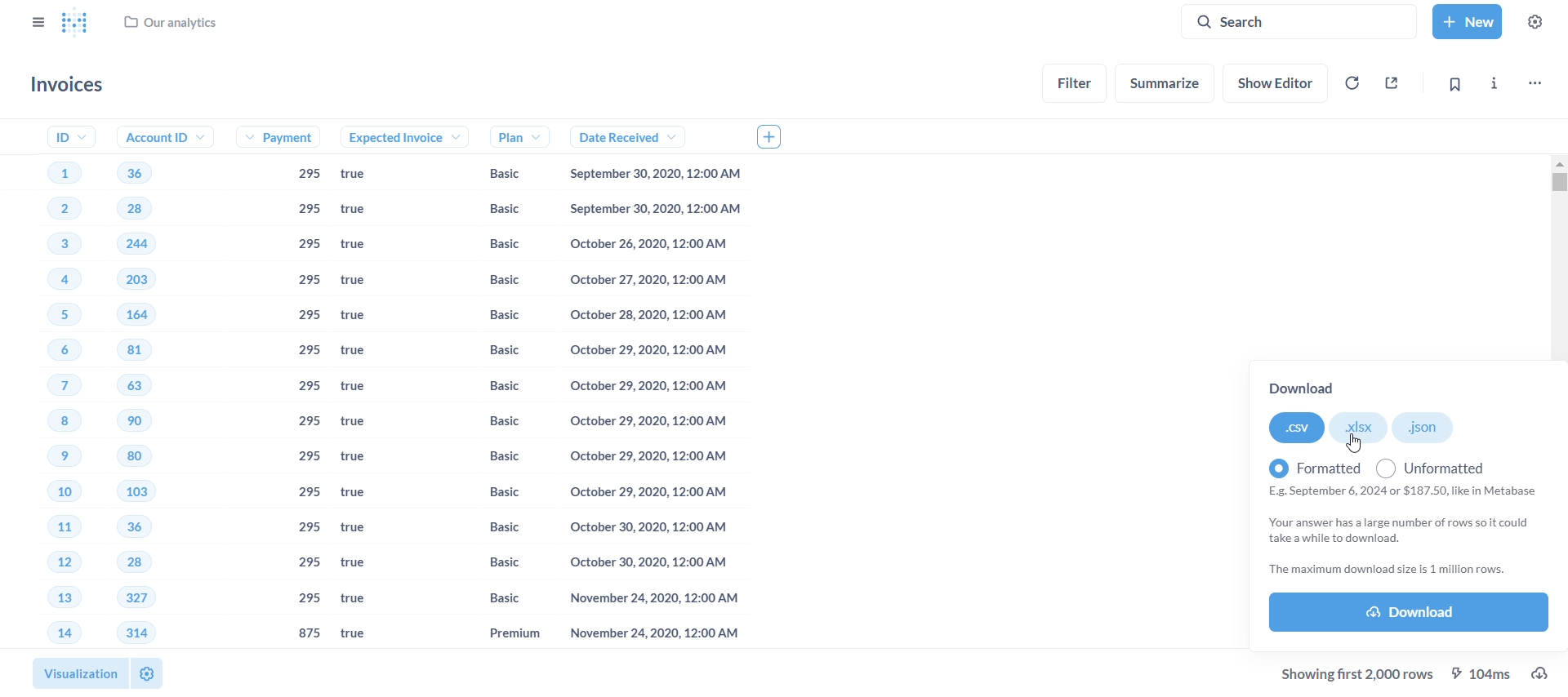 This screenshot has width=1568, height=697. I want to click on settings, so click(1540, 20).